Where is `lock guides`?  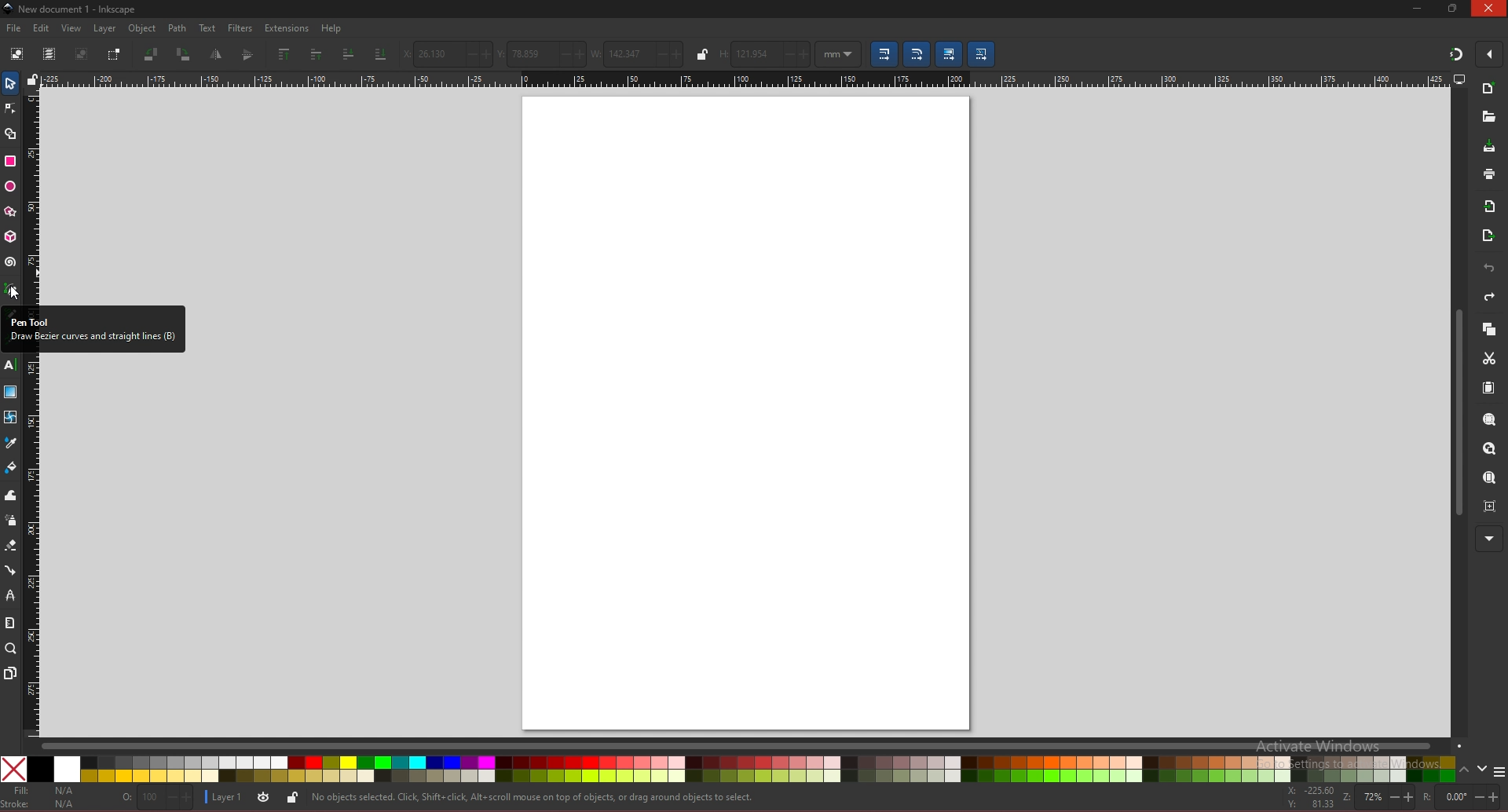
lock guides is located at coordinates (32, 79).